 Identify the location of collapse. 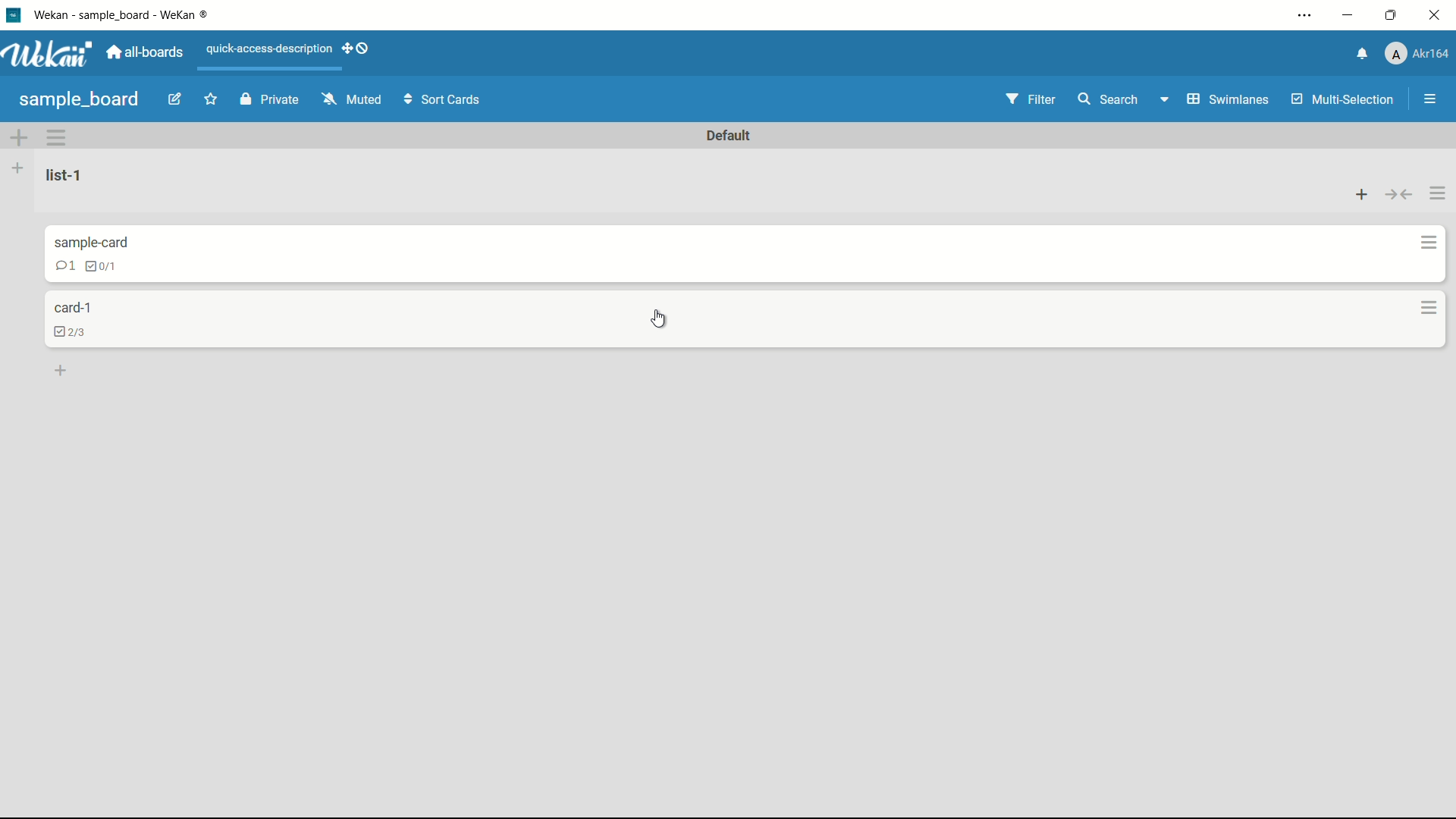
(1398, 193).